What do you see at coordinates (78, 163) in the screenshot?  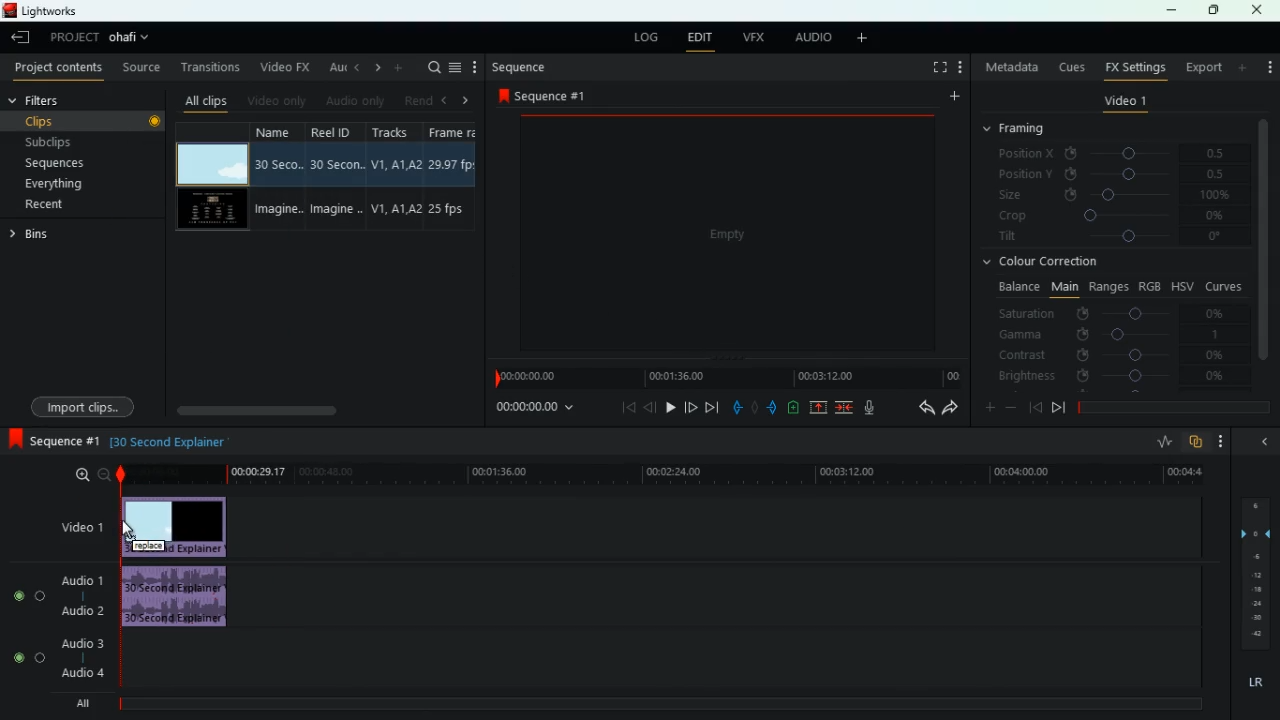 I see `sequences` at bounding box center [78, 163].